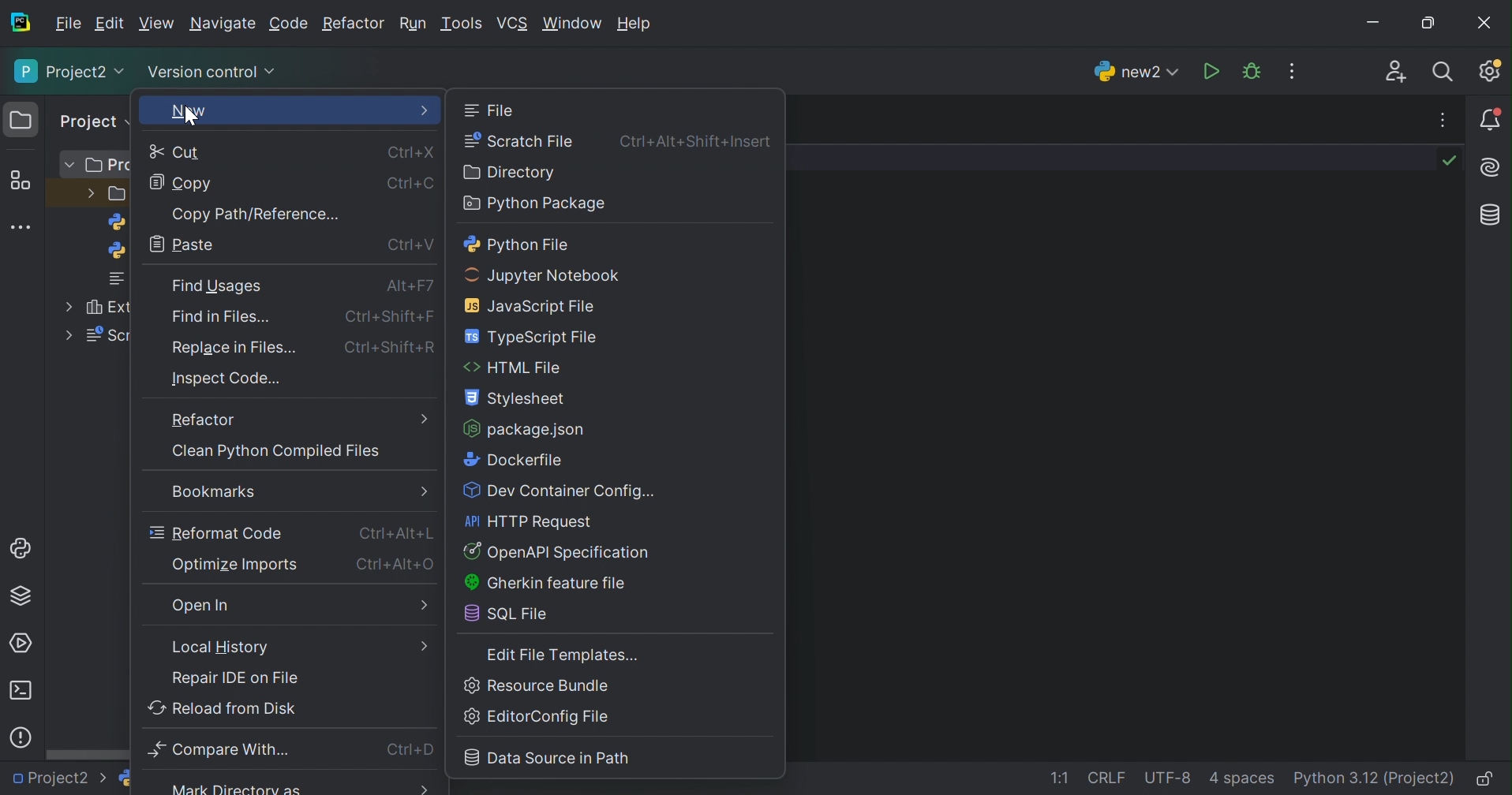 This screenshot has height=795, width=1512. Describe the element at coordinates (241, 789) in the screenshot. I see `Mark directory as` at that location.